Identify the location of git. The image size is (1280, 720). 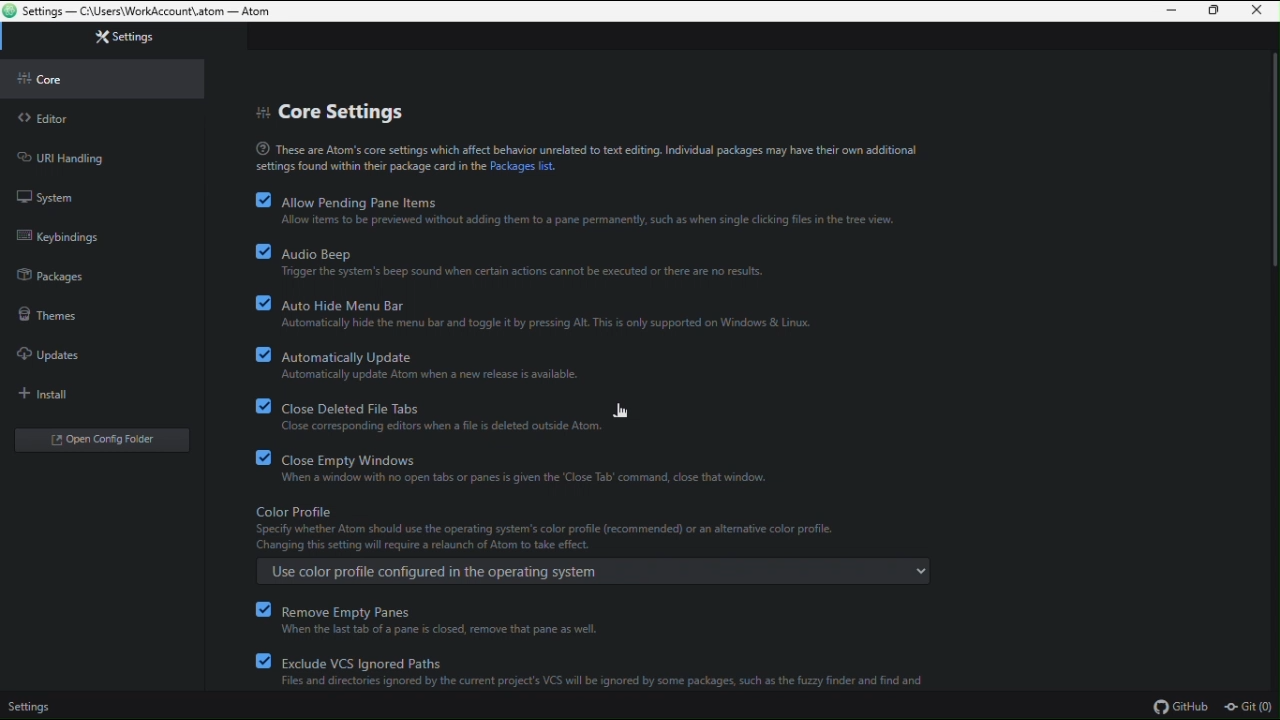
(1251, 707).